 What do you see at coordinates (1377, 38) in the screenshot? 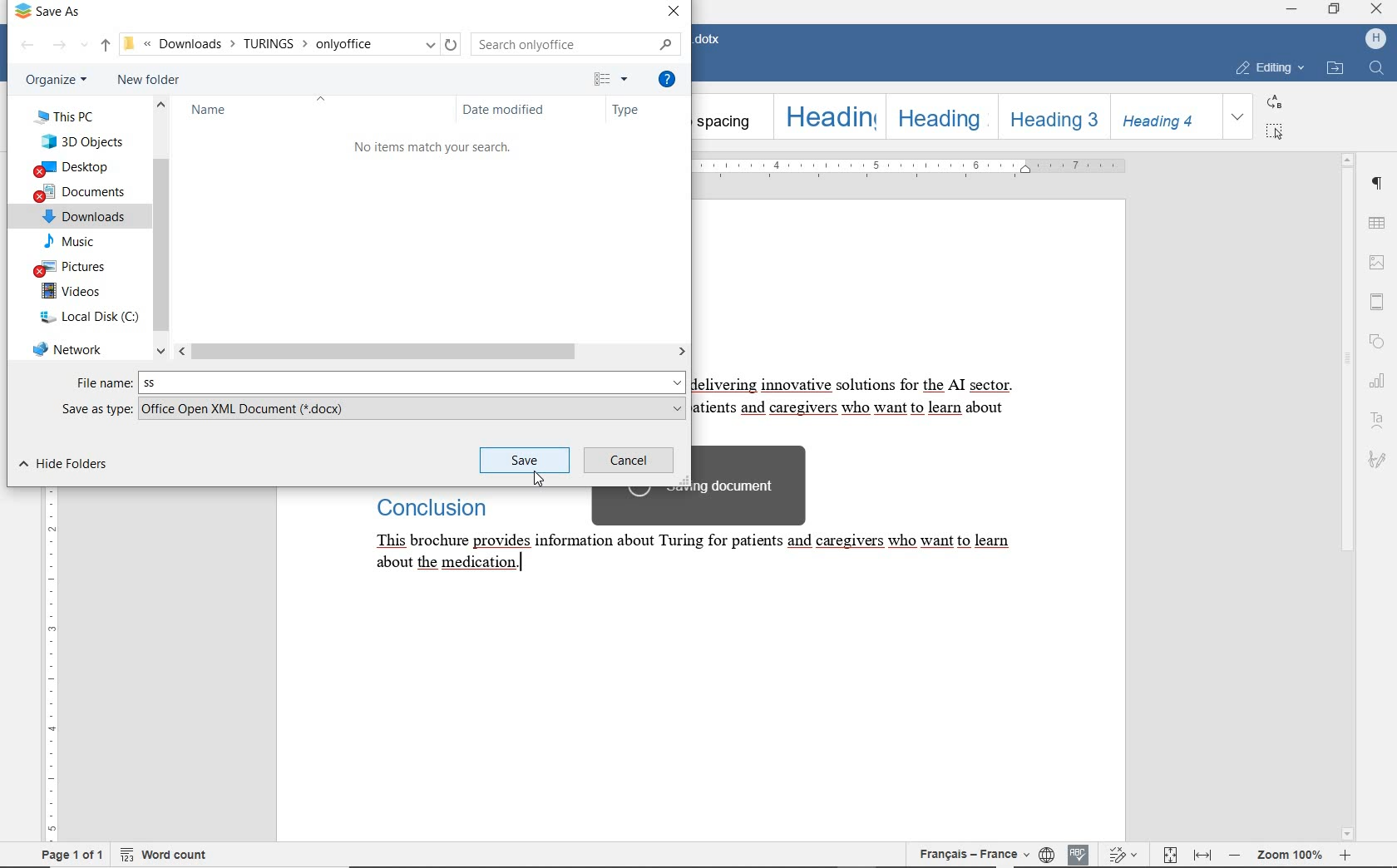
I see `HP` at bounding box center [1377, 38].